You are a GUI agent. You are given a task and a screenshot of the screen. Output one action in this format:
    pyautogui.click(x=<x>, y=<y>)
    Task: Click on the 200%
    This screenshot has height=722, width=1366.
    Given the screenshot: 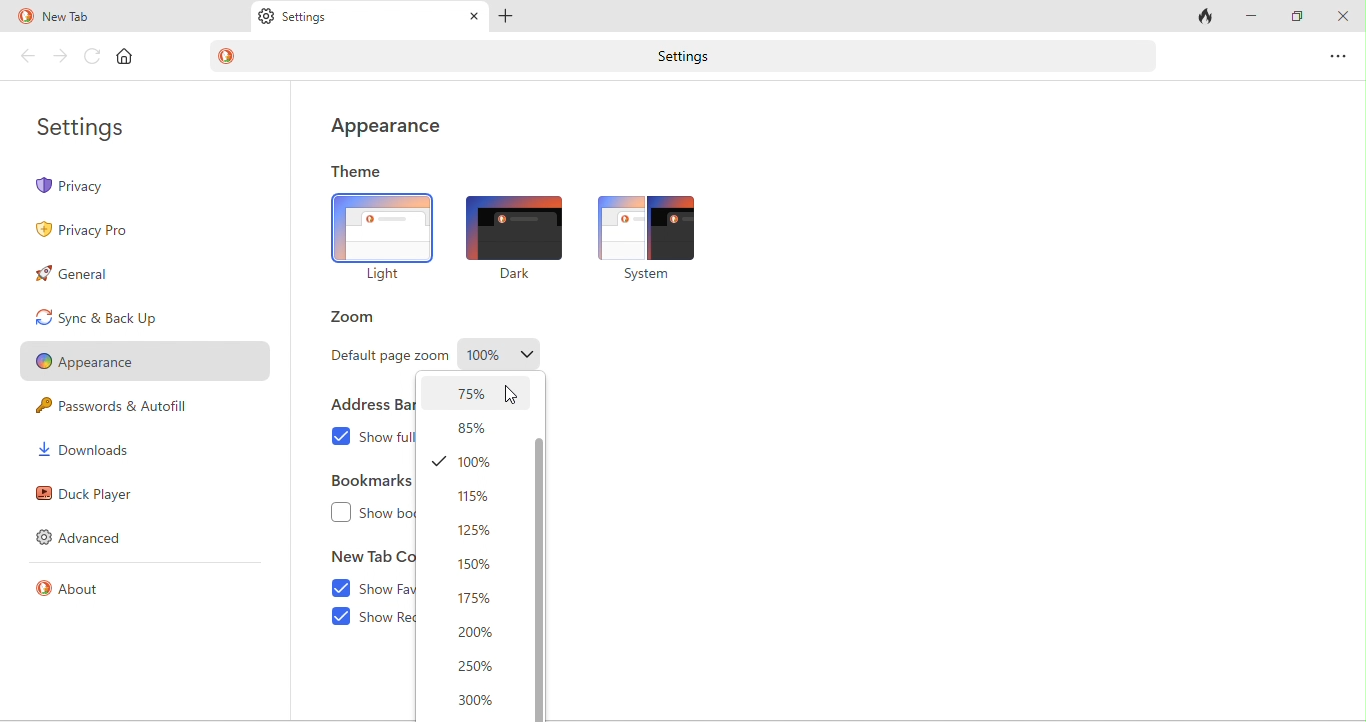 What is the action you would take?
    pyautogui.click(x=474, y=631)
    